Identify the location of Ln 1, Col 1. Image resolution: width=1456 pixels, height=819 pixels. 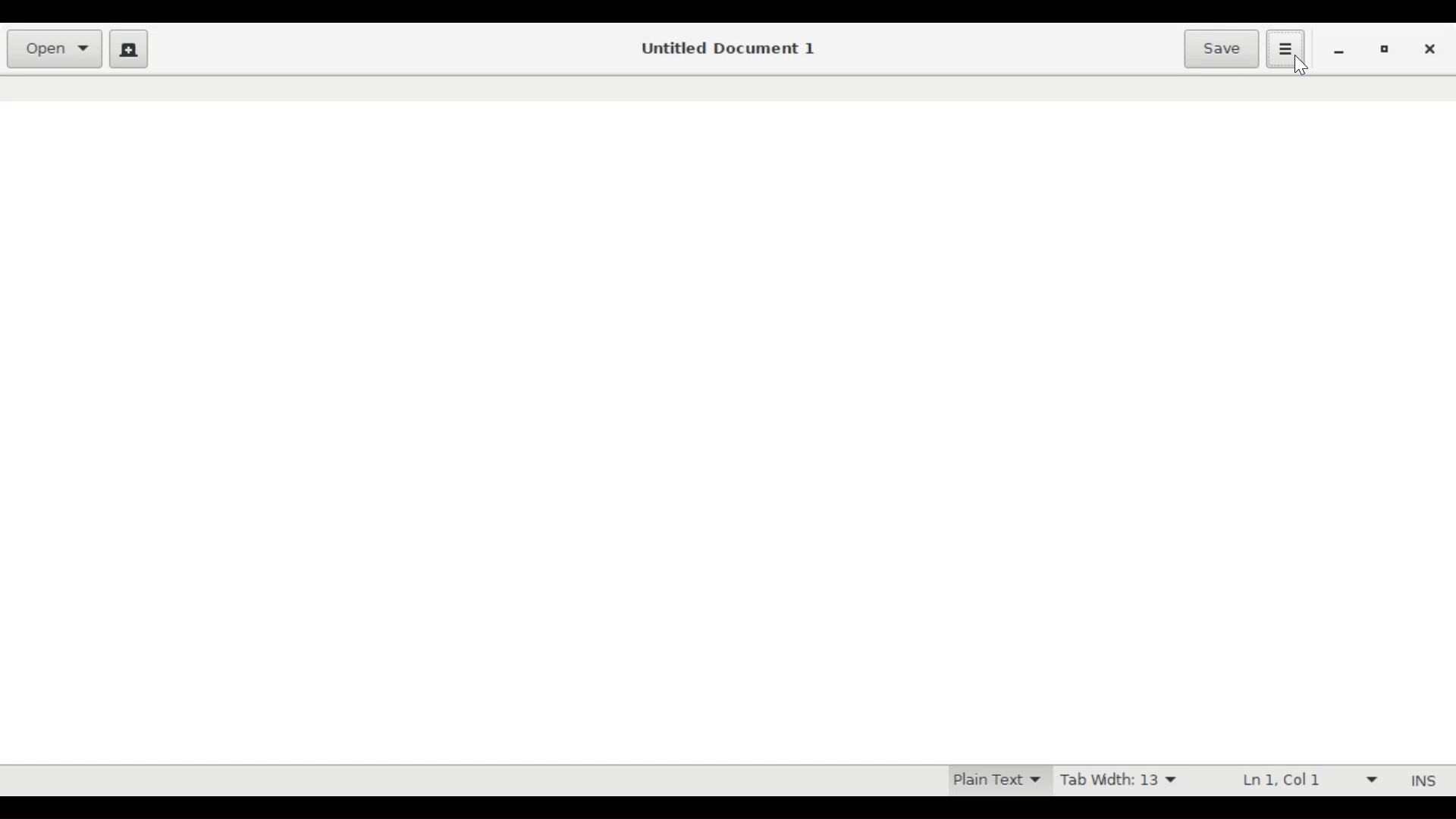
(1305, 781).